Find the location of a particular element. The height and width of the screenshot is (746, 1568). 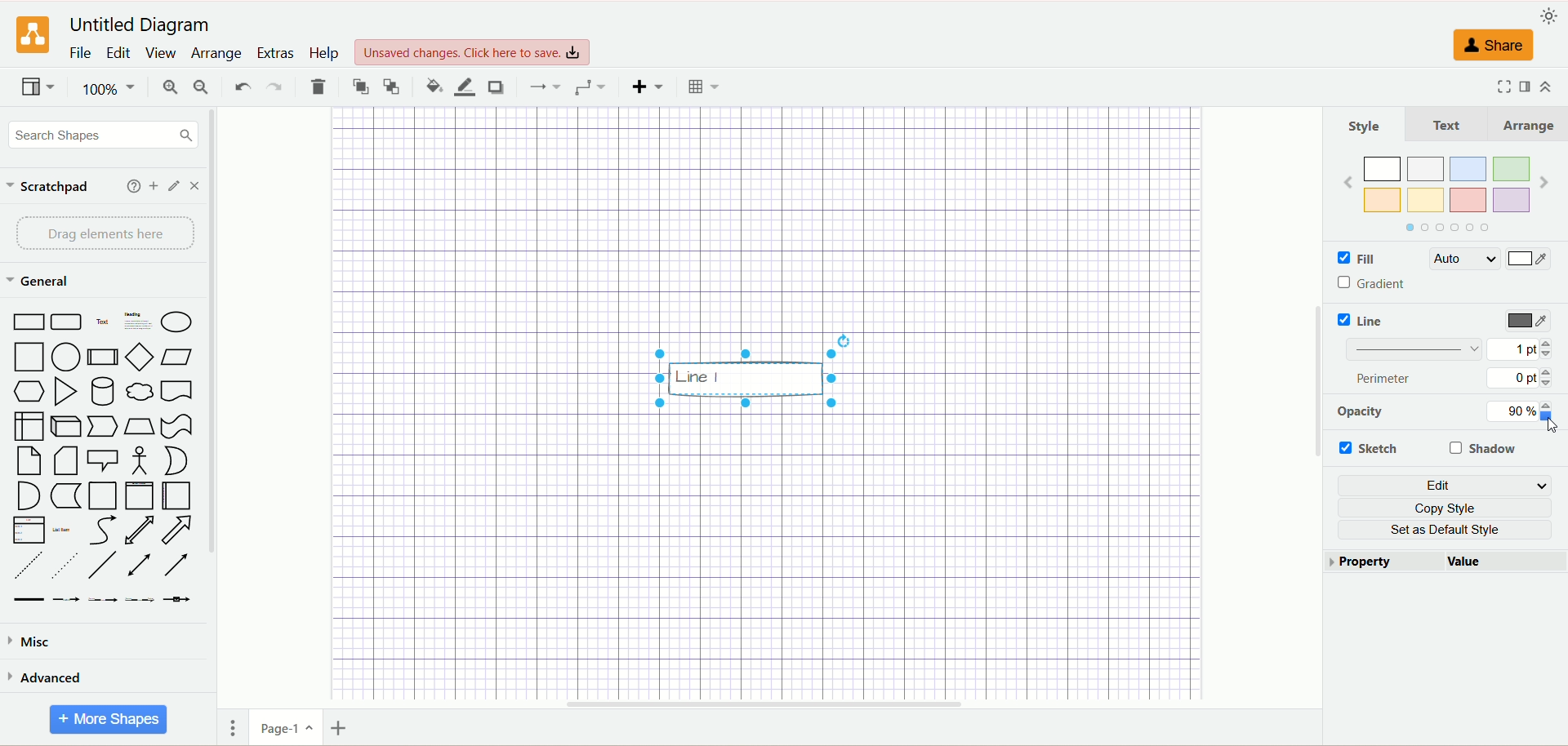

vertical scroll bar is located at coordinates (215, 407).